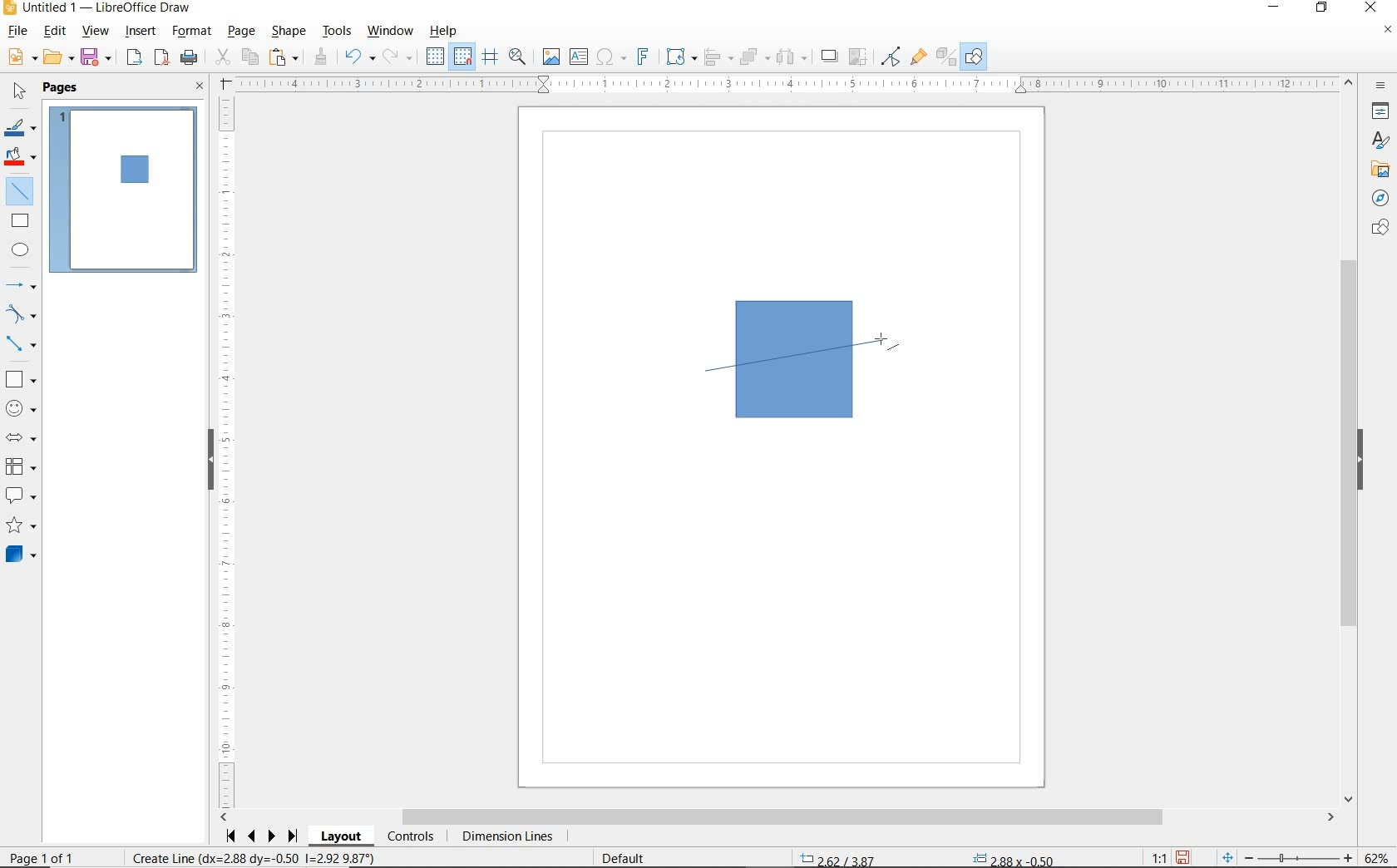 This screenshot has height=868, width=1397. I want to click on SHOW GLUEPOINT FUNCTIONS, so click(917, 56).